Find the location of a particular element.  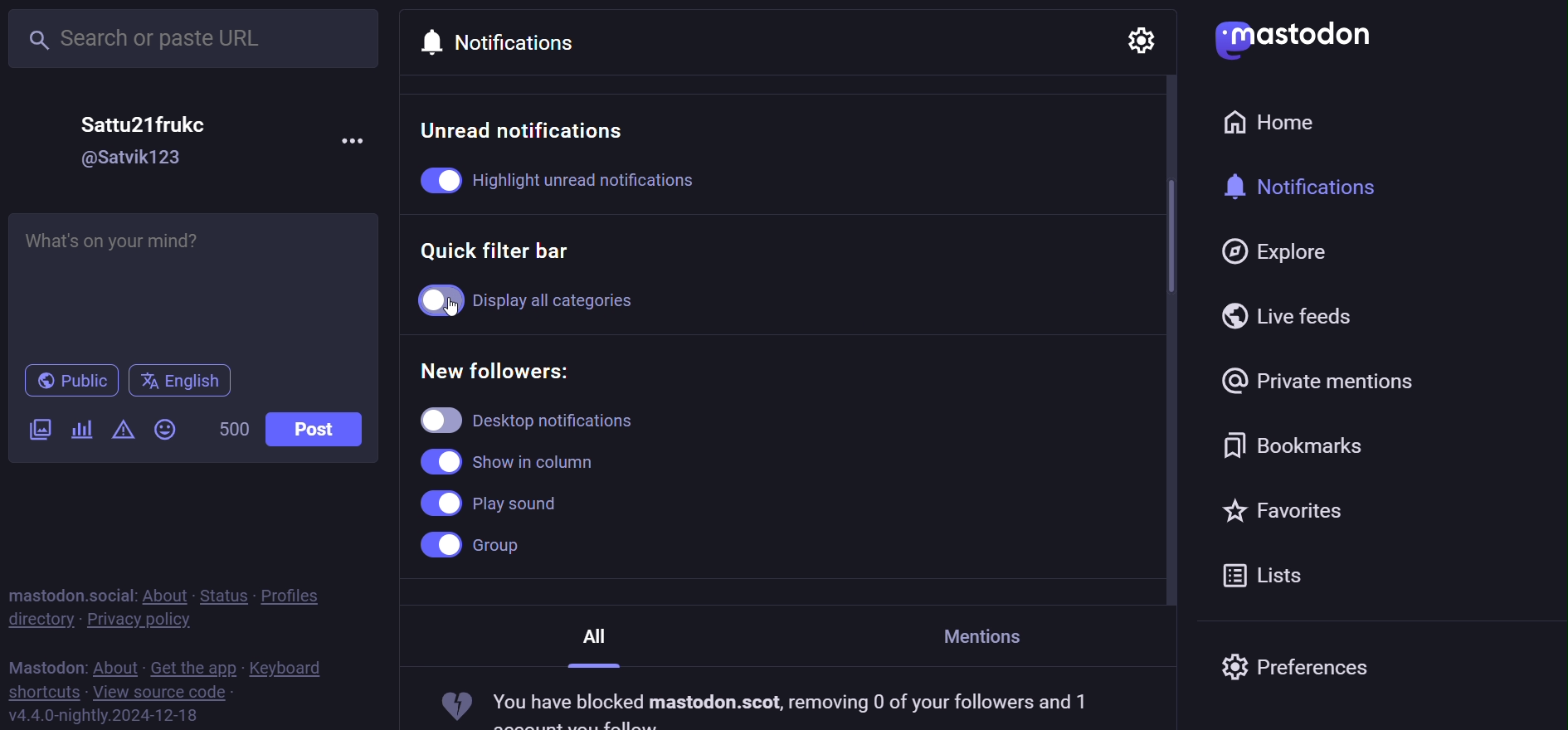

about is located at coordinates (162, 593).